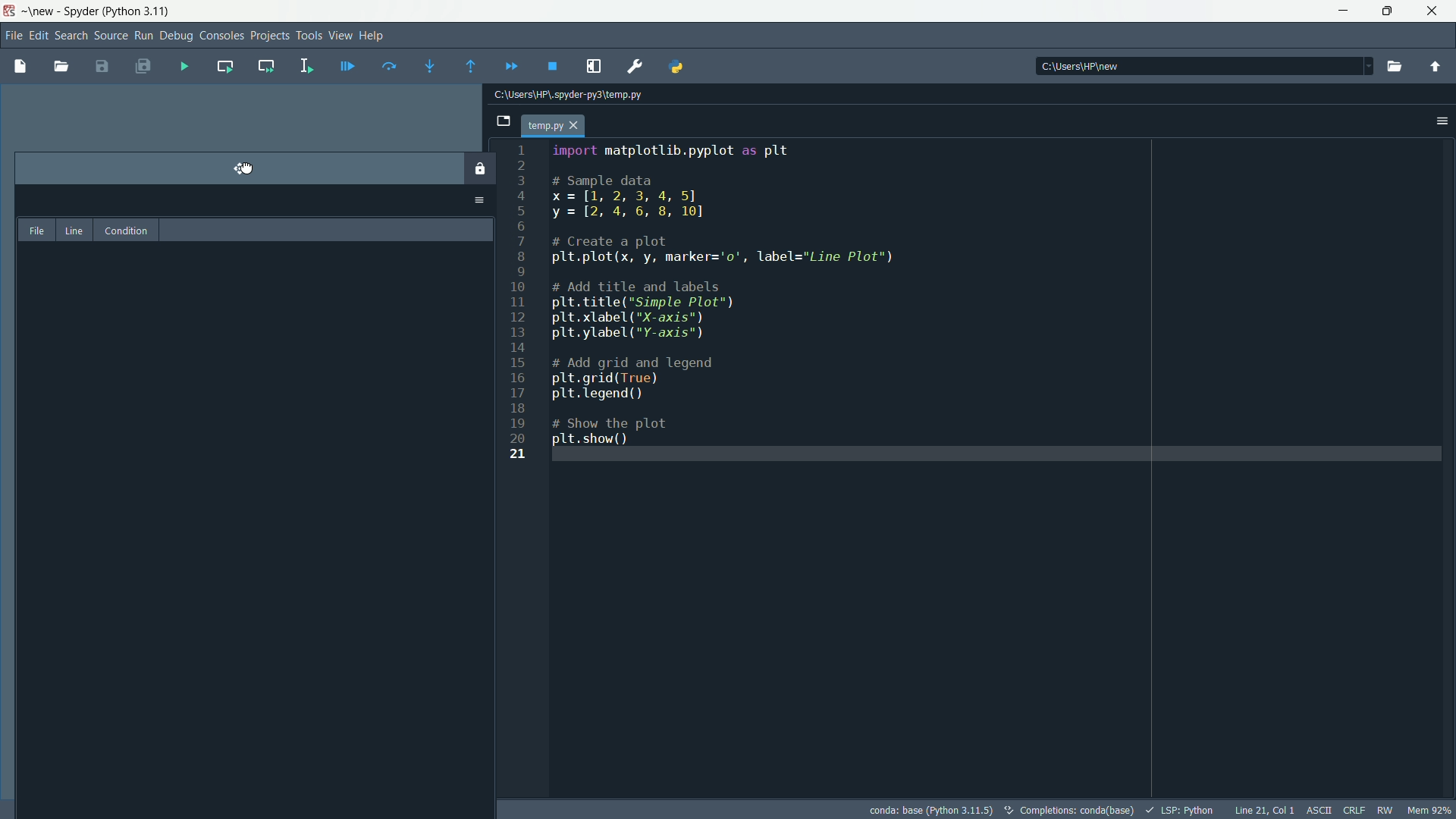 Image resolution: width=1456 pixels, height=819 pixels. I want to click on file menu, so click(12, 34).